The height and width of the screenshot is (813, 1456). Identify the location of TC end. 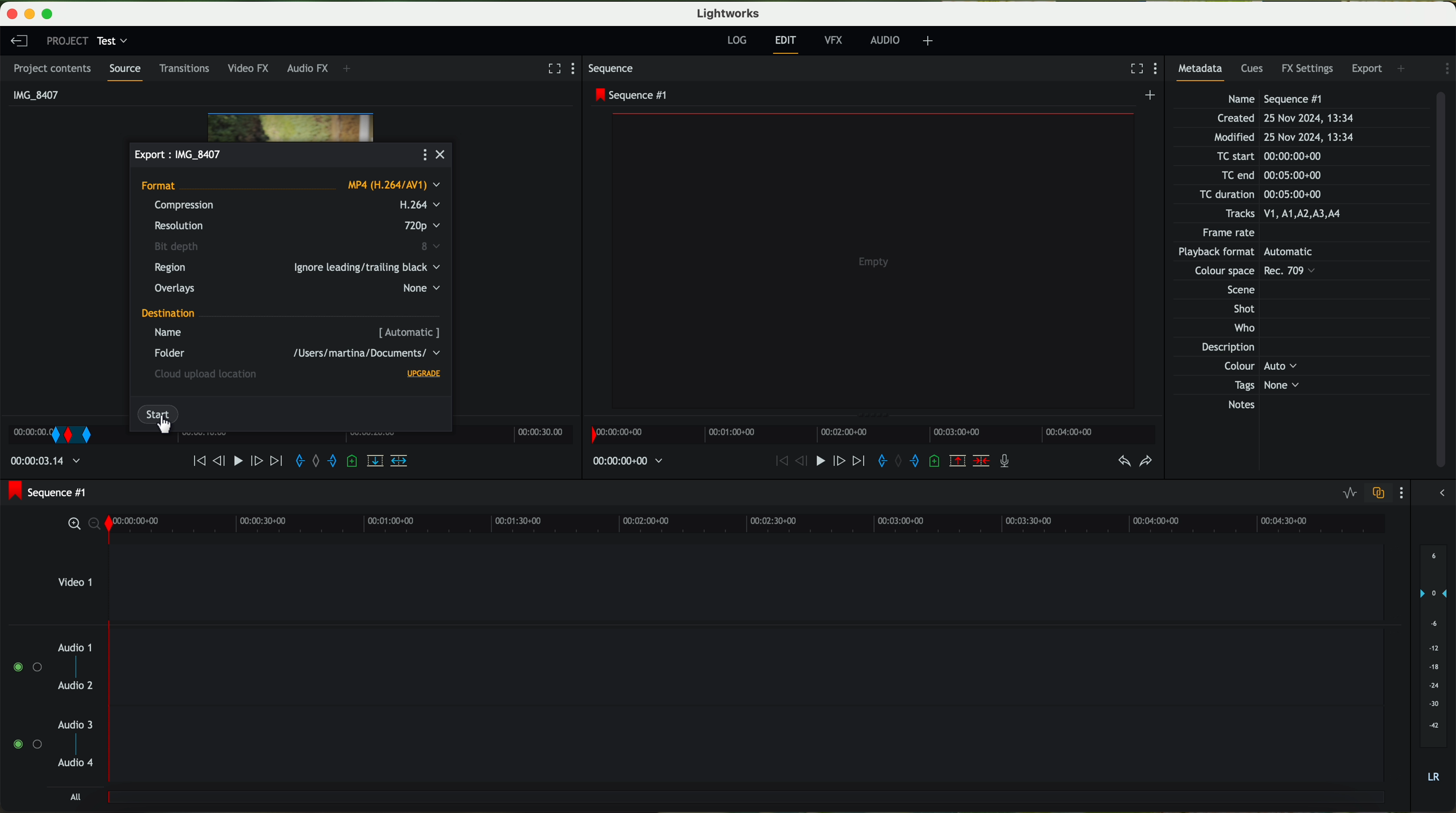
(1286, 176).